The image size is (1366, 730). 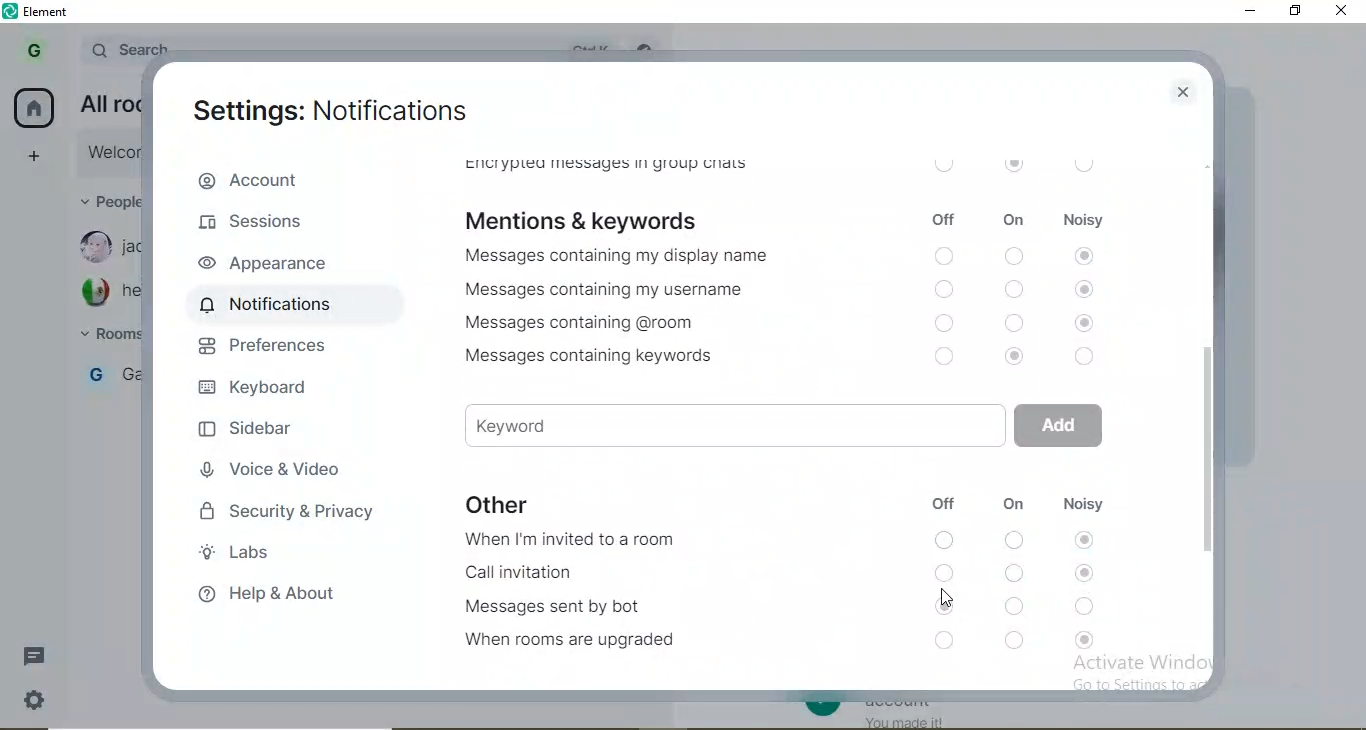 What do you see at coordinates (295, 517) in the screenshot?
I see `security & privavcy` at bounding box center [295, 517].